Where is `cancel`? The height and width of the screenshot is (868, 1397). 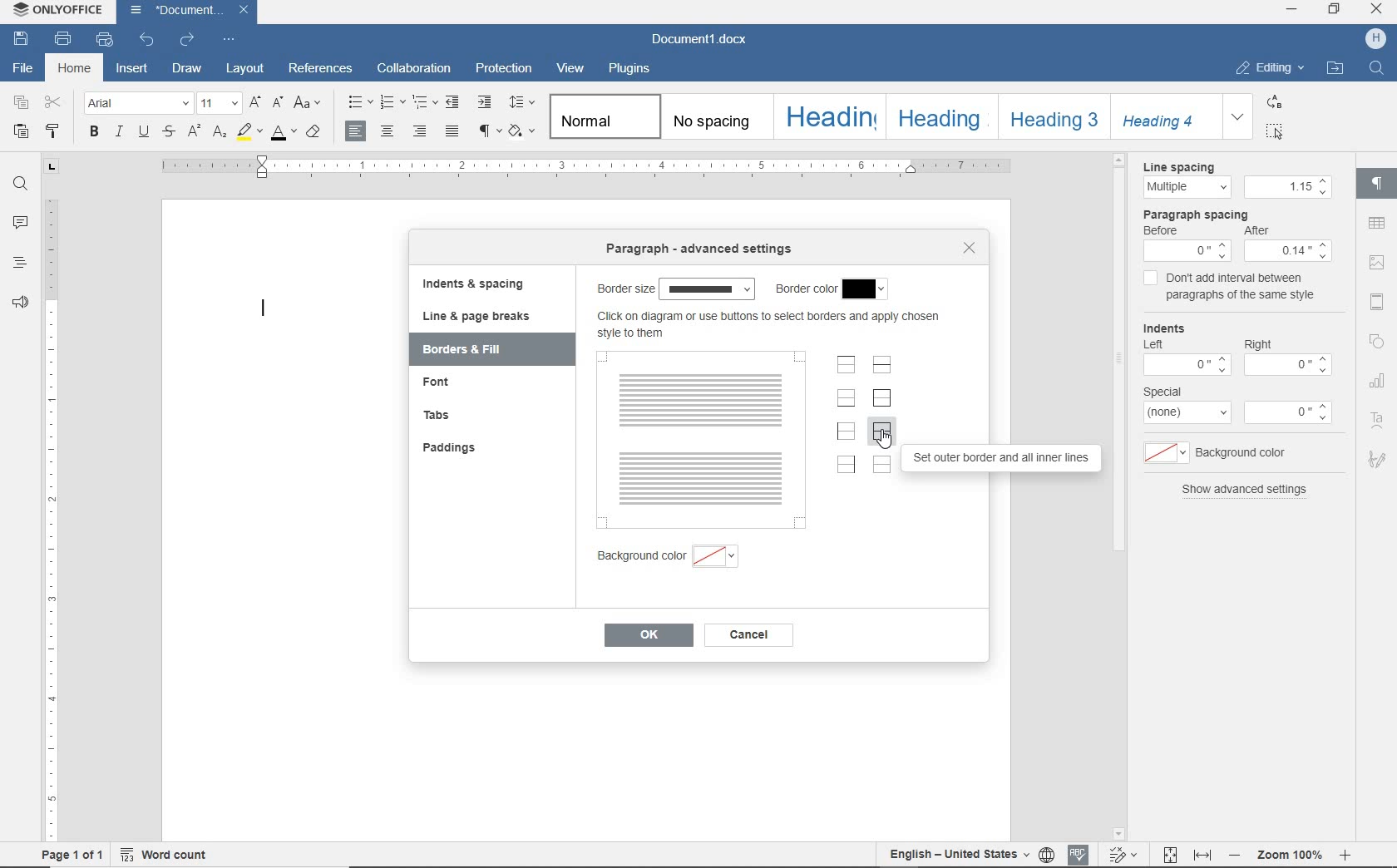
cancel is located at coordinates (759, 637).